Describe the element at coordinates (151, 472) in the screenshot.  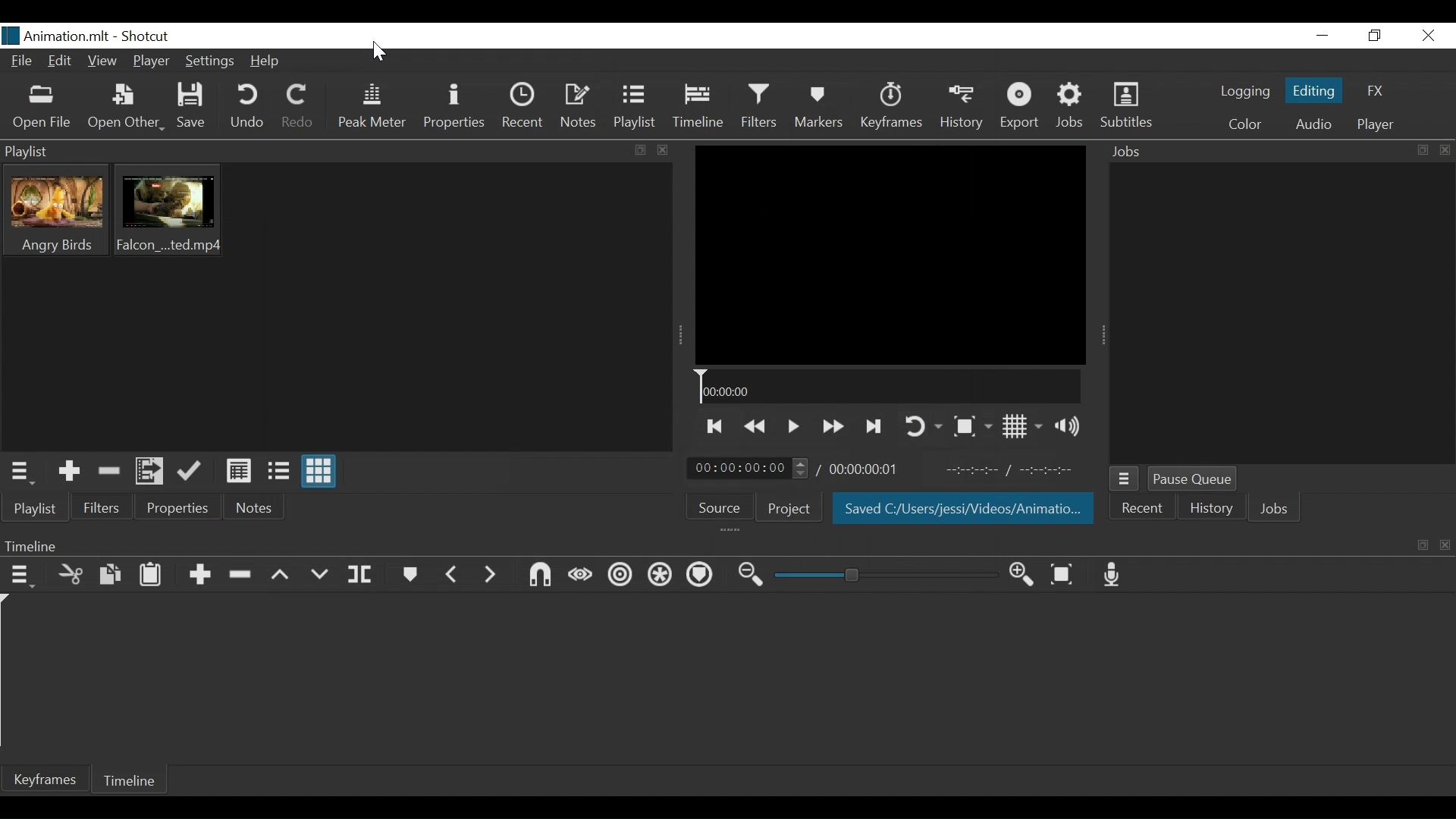
I see `Add files to the playlist` at that location.